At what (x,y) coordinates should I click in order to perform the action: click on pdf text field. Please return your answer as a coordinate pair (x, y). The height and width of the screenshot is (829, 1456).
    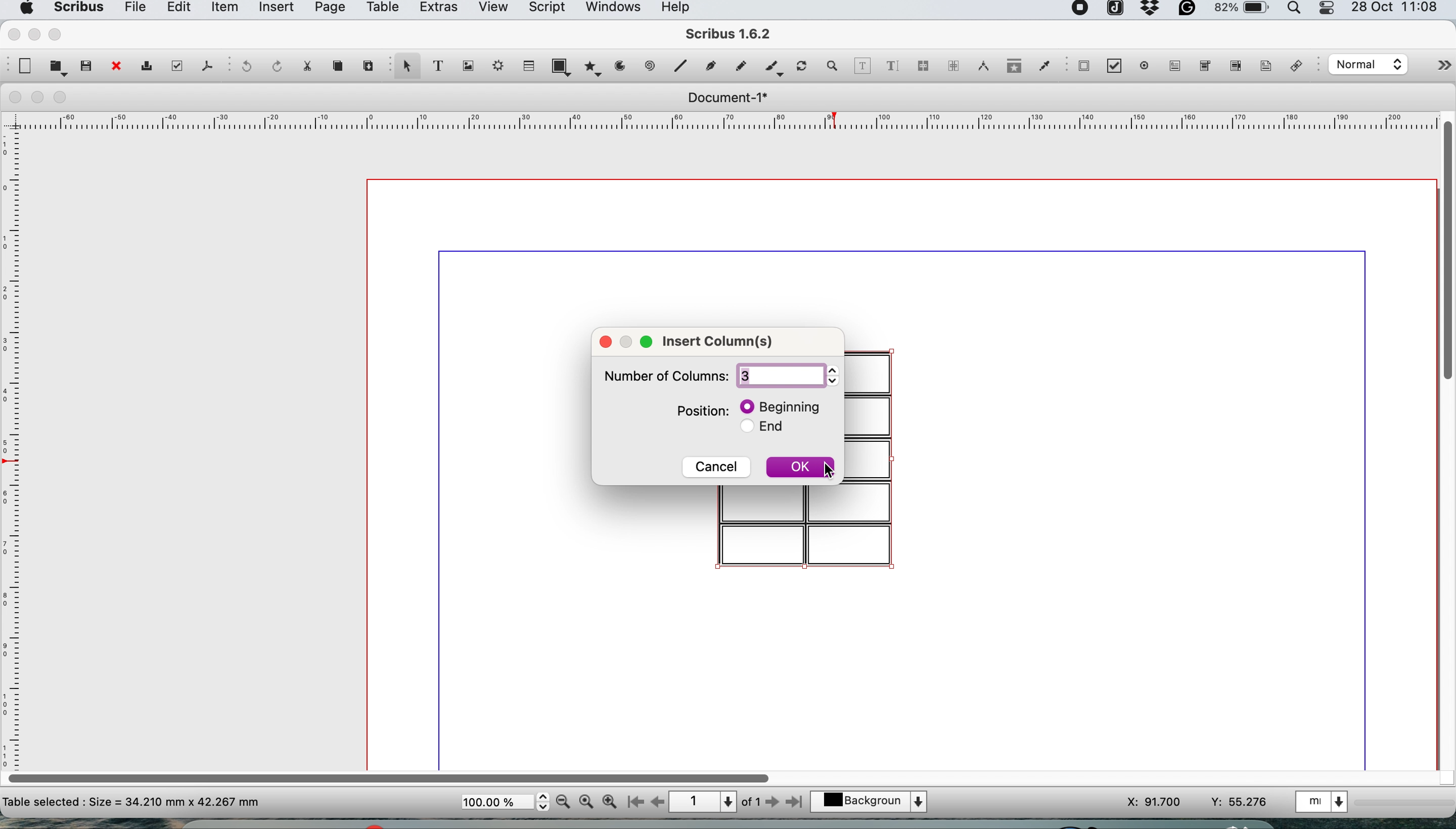
    Looking at the image, I should click on (1172, 66).